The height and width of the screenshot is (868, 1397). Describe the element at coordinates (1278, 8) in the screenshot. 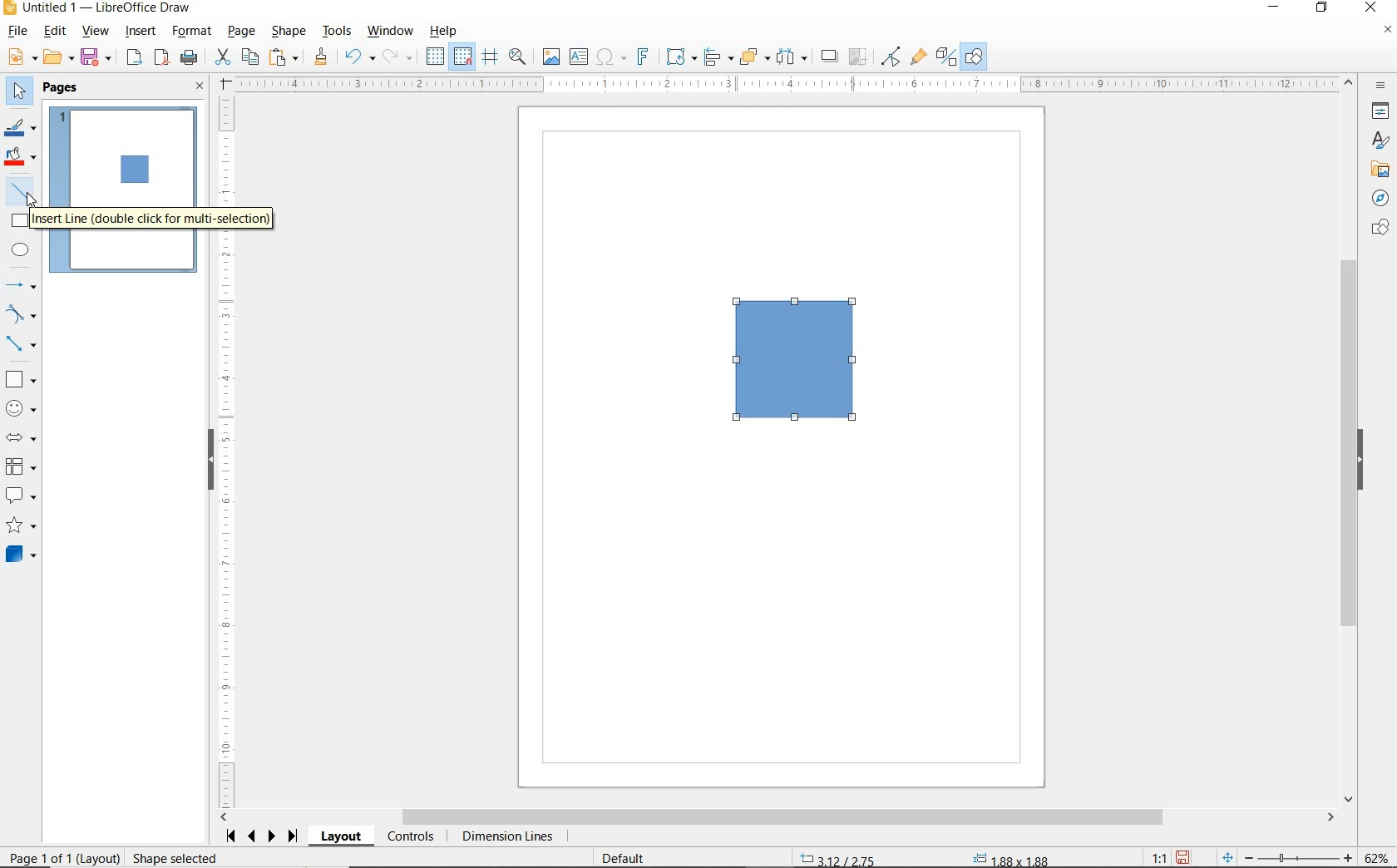

I see `MINIMIZE` at that location.